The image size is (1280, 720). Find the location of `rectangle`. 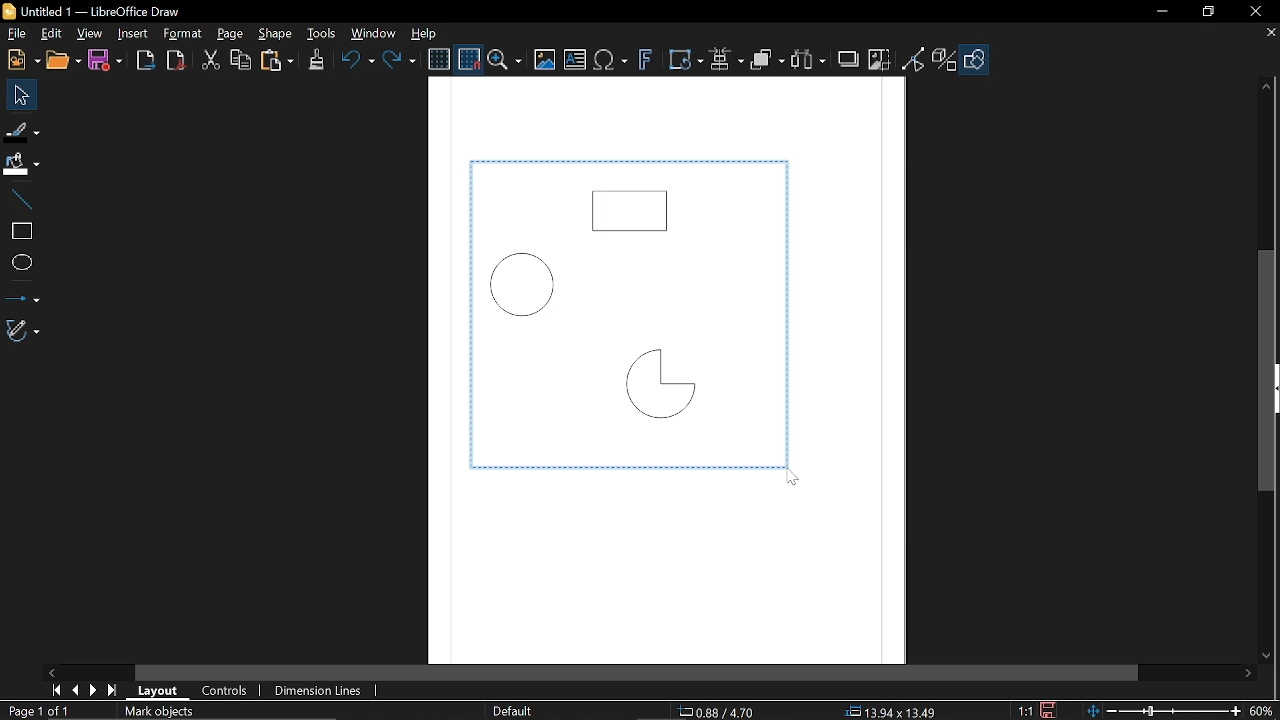

rectangle is located at coordinates (18, 228).